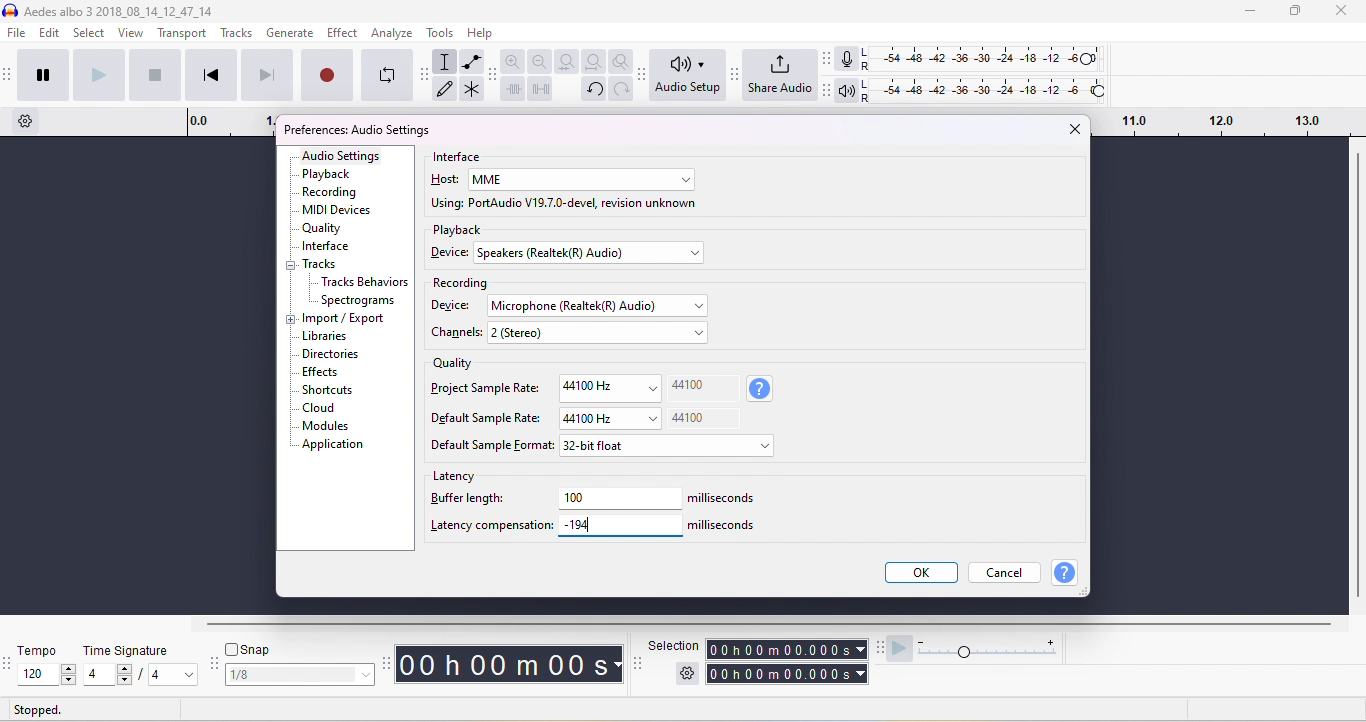  I want to click on quality, so click(323, 229).